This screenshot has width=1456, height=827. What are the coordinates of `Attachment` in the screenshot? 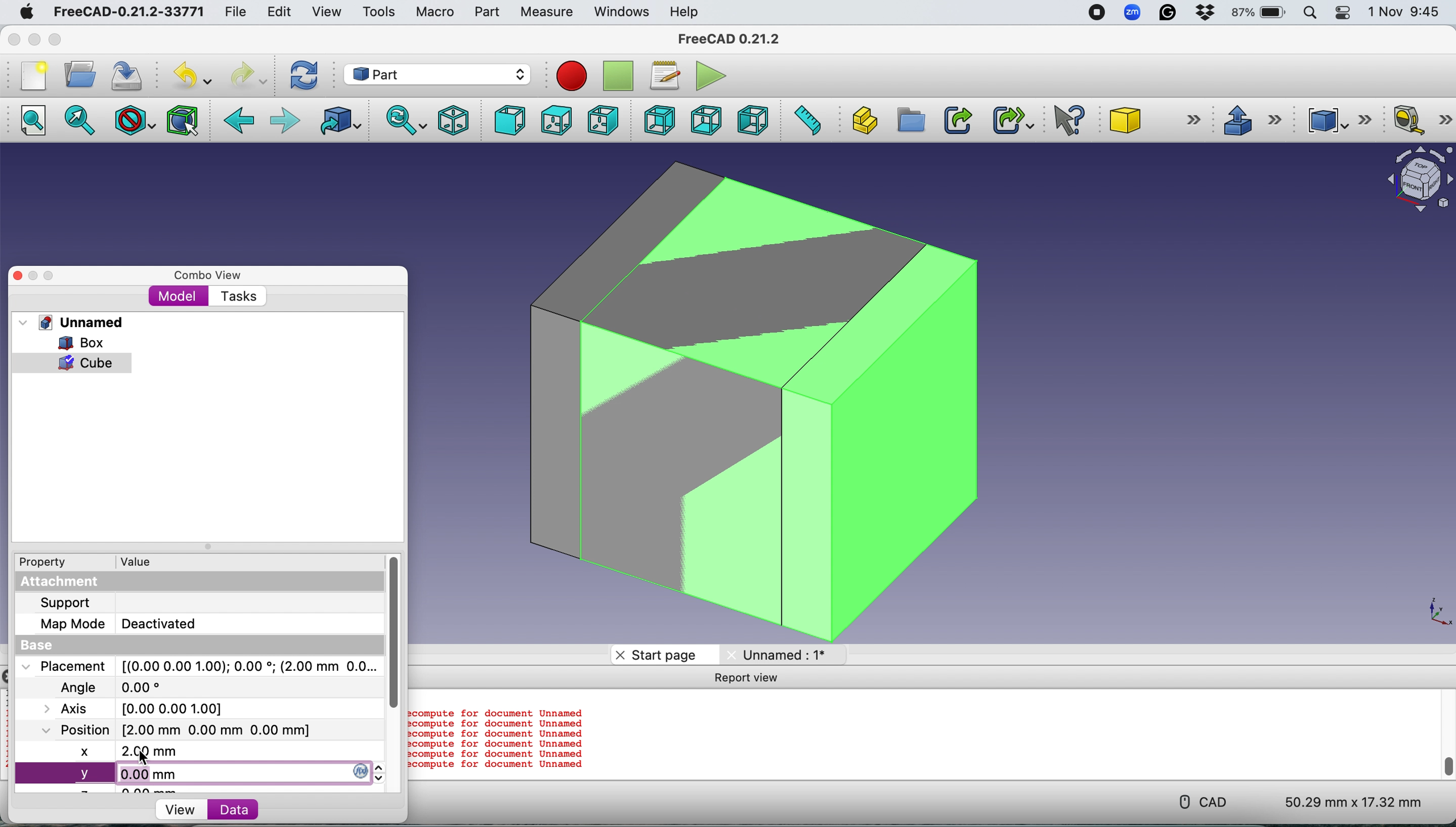 It's located at (63, 583).